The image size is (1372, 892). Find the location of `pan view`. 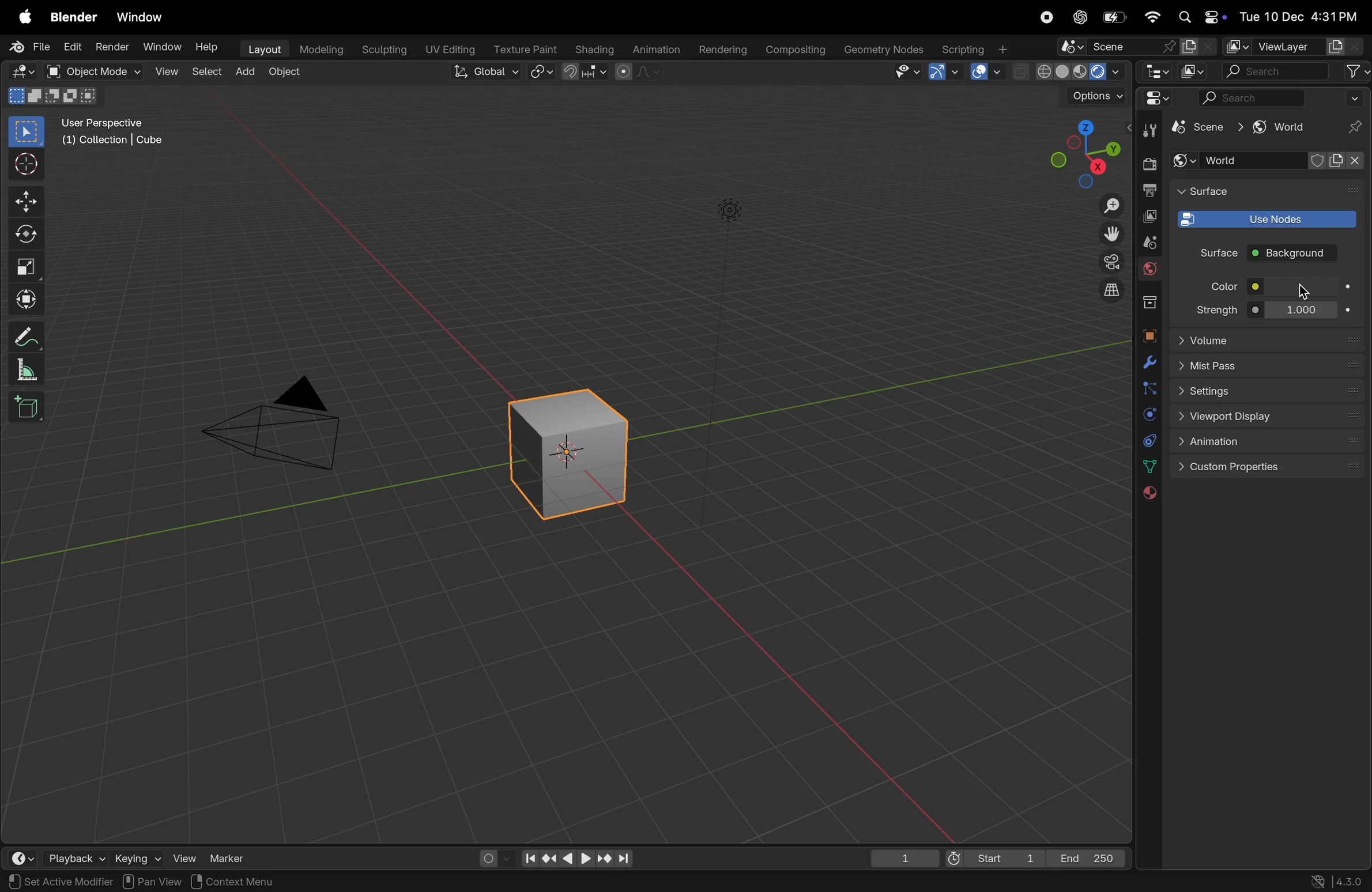

pan view is located at coordinates (35, 881).